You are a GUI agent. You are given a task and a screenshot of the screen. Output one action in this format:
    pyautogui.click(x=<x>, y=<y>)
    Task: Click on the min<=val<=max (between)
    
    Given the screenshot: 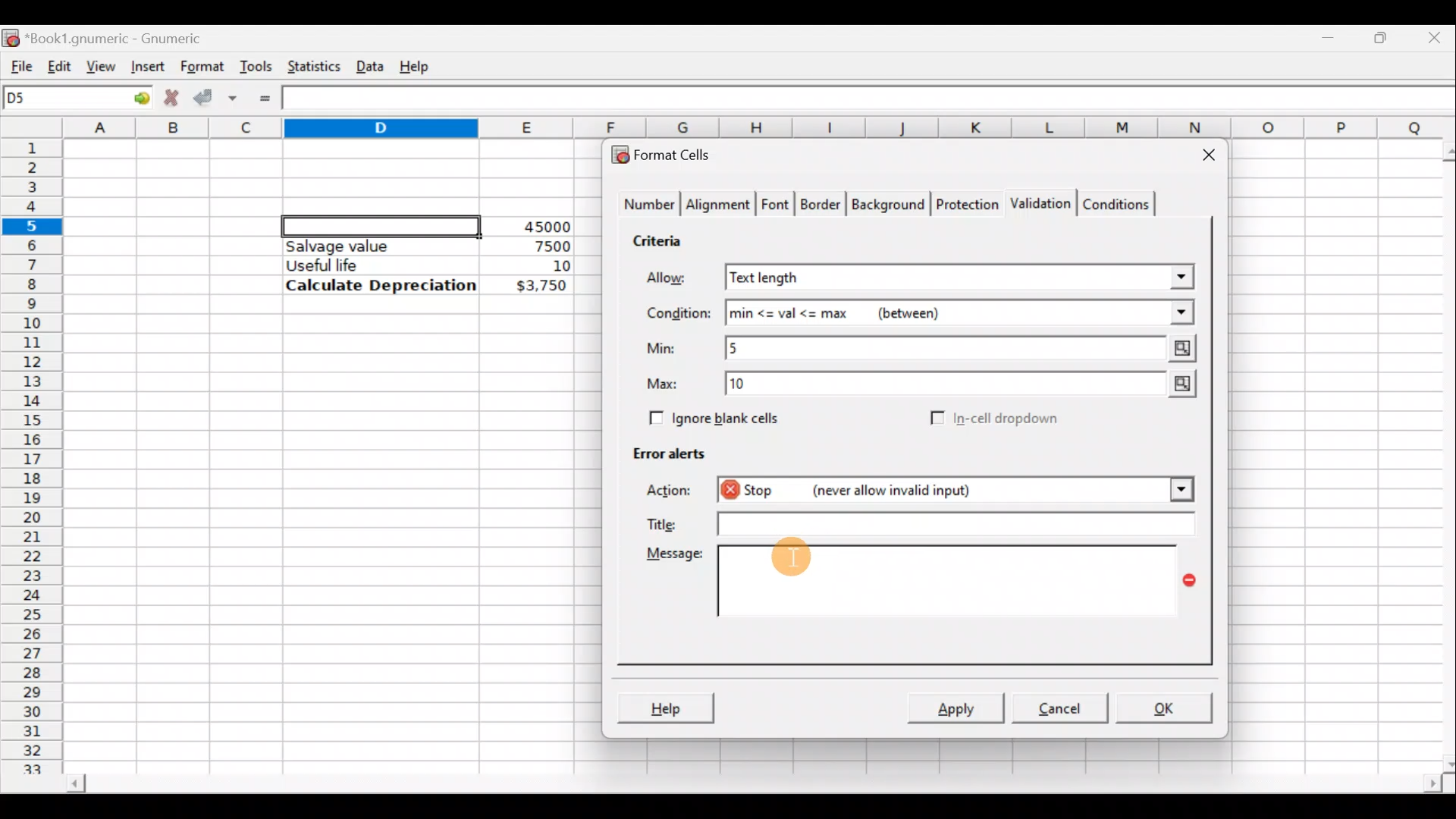 What is the action you would take?
    pyautogui.click(x=960, y=313)
    